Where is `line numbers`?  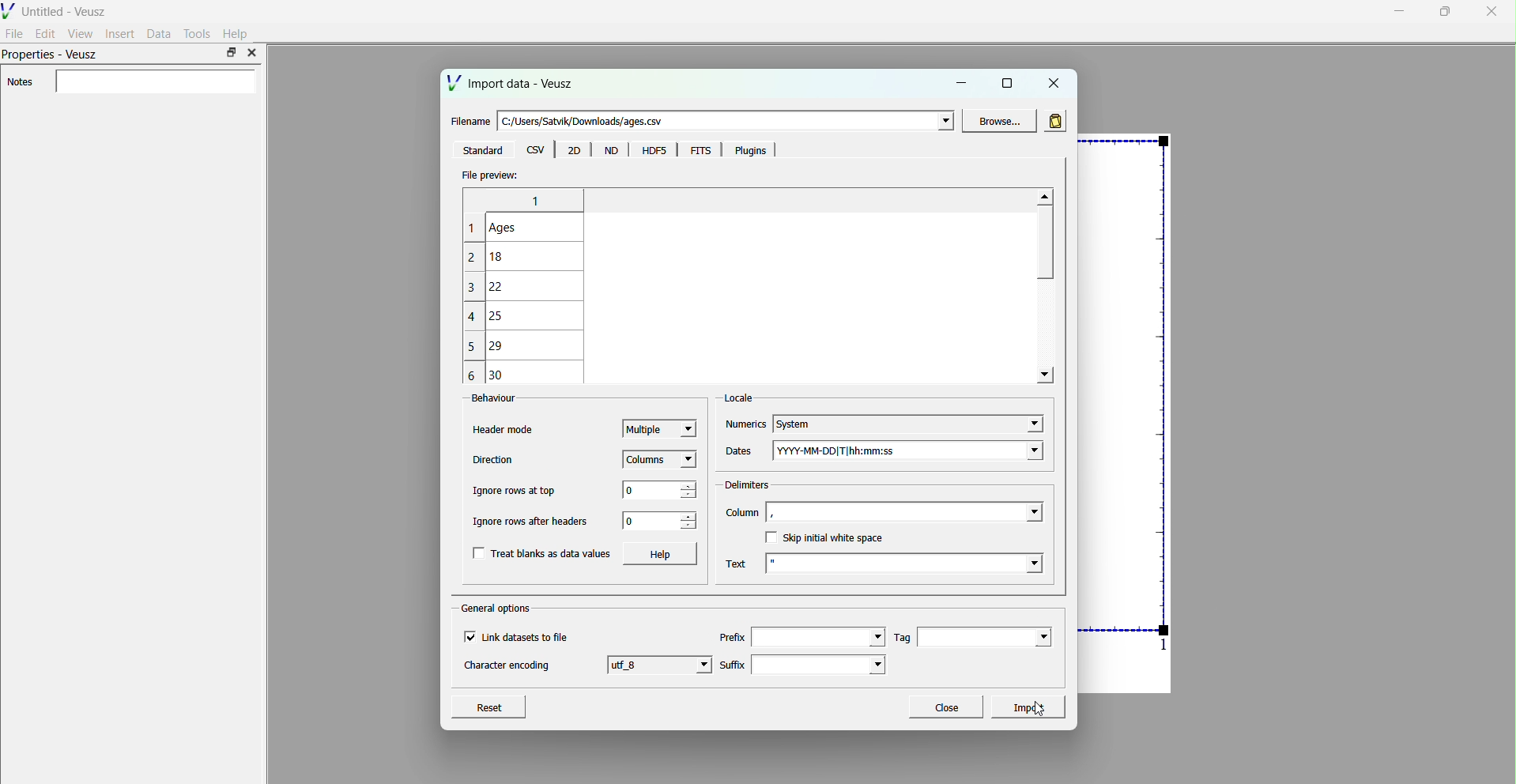
line numbers is located at coordinates (473, 300).